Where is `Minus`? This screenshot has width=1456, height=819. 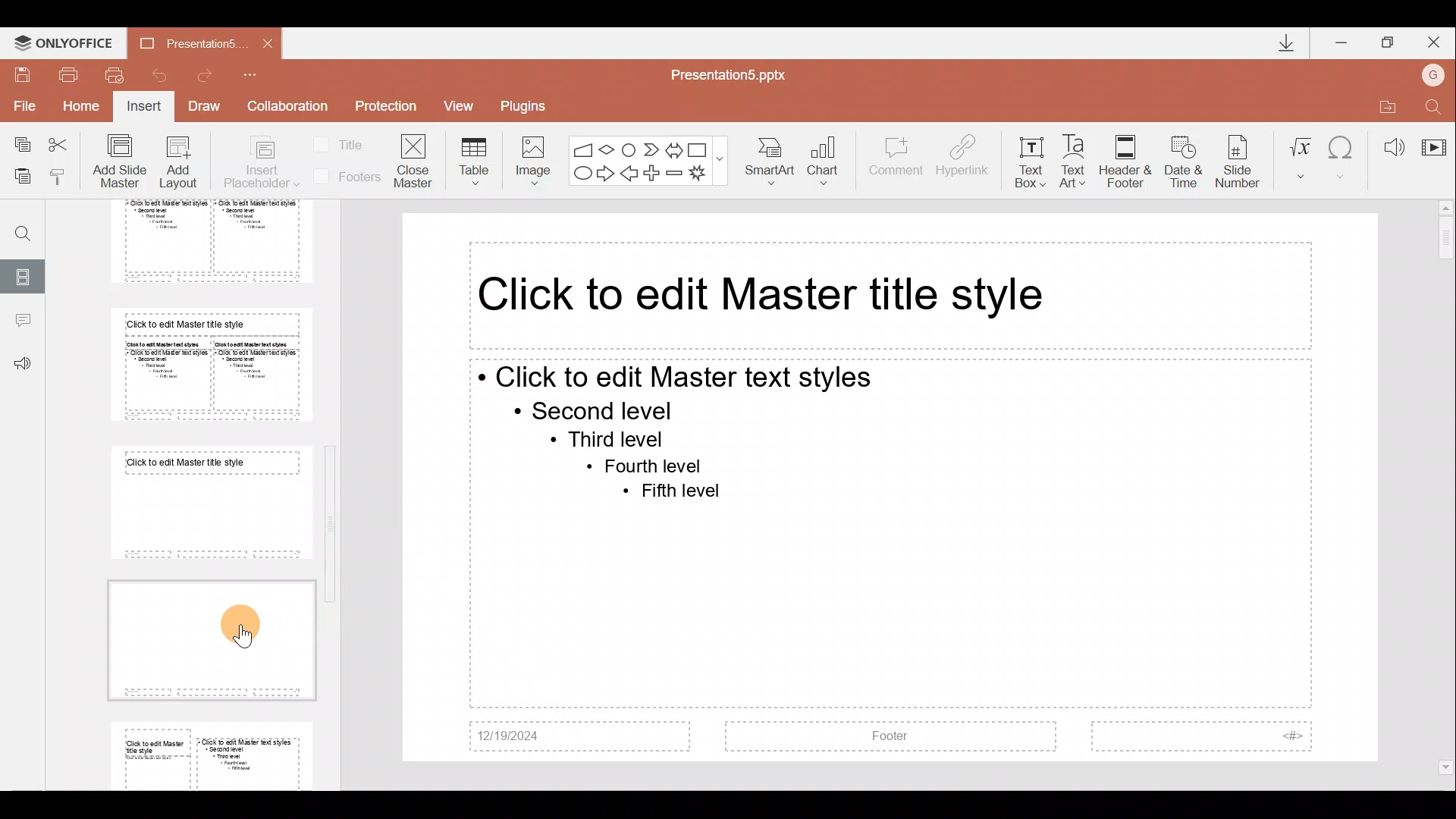 Minus is located at coordinates (675, 173).